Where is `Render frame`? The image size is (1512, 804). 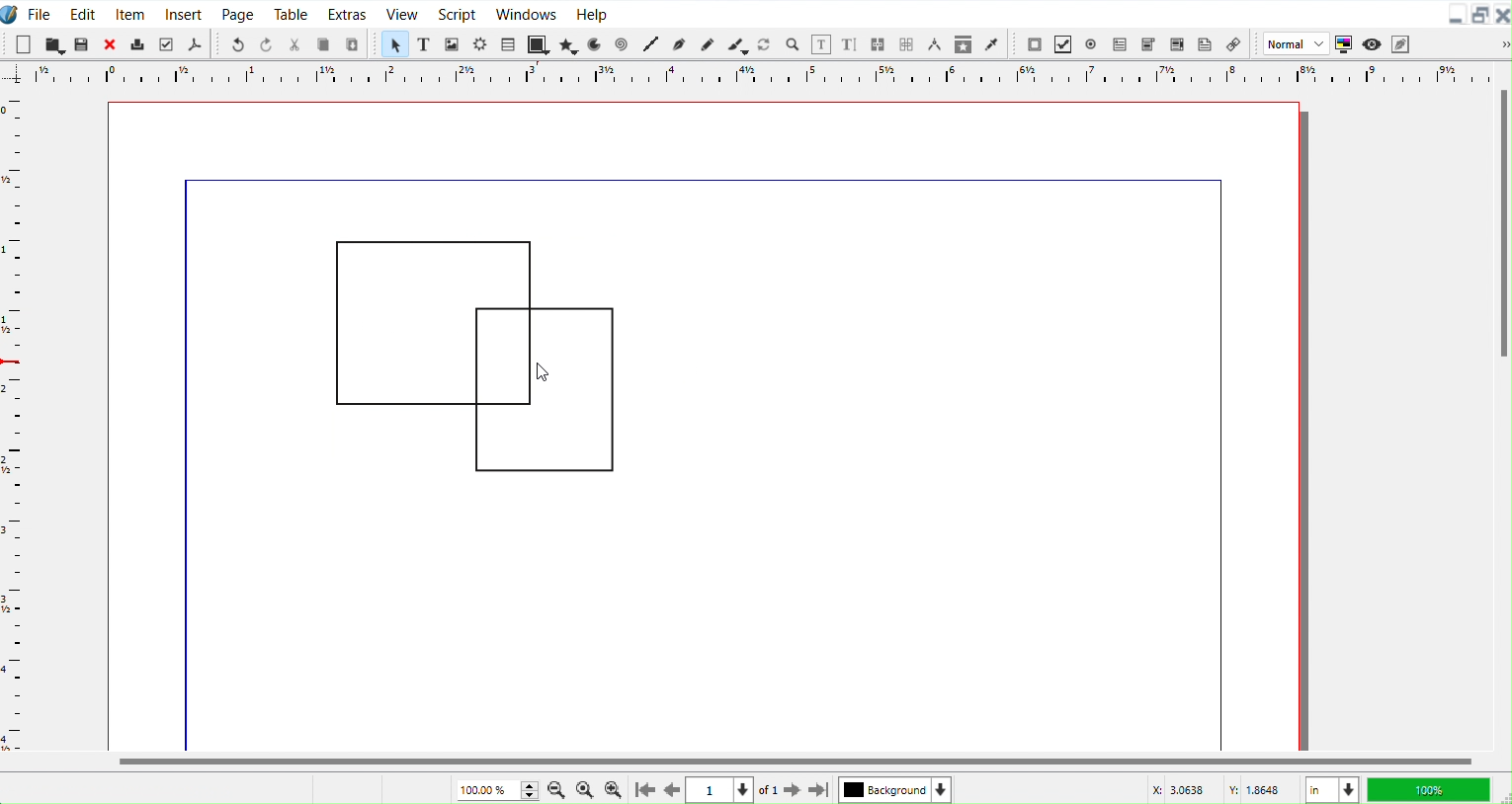 Render frame is located at coordinates (481, 44).